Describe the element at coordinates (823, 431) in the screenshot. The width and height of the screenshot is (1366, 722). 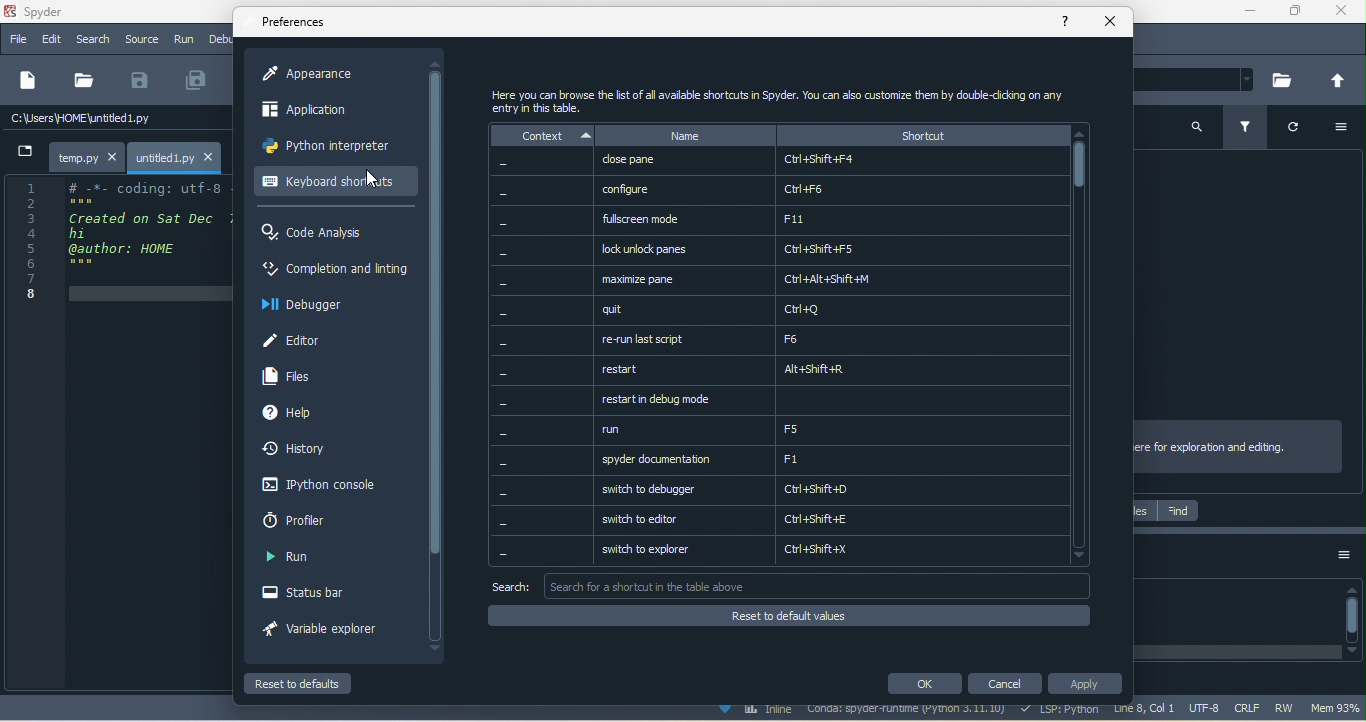
I see `run` at that location.